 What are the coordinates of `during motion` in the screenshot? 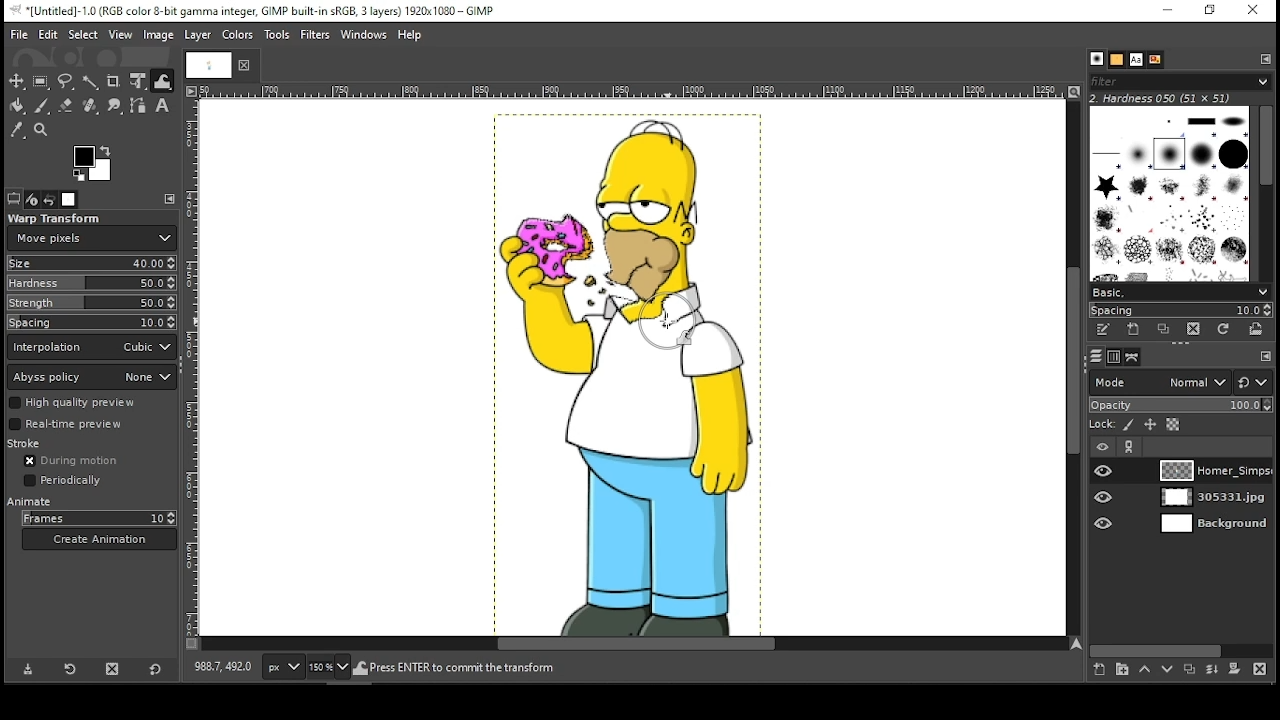 It's located at (76, 460).